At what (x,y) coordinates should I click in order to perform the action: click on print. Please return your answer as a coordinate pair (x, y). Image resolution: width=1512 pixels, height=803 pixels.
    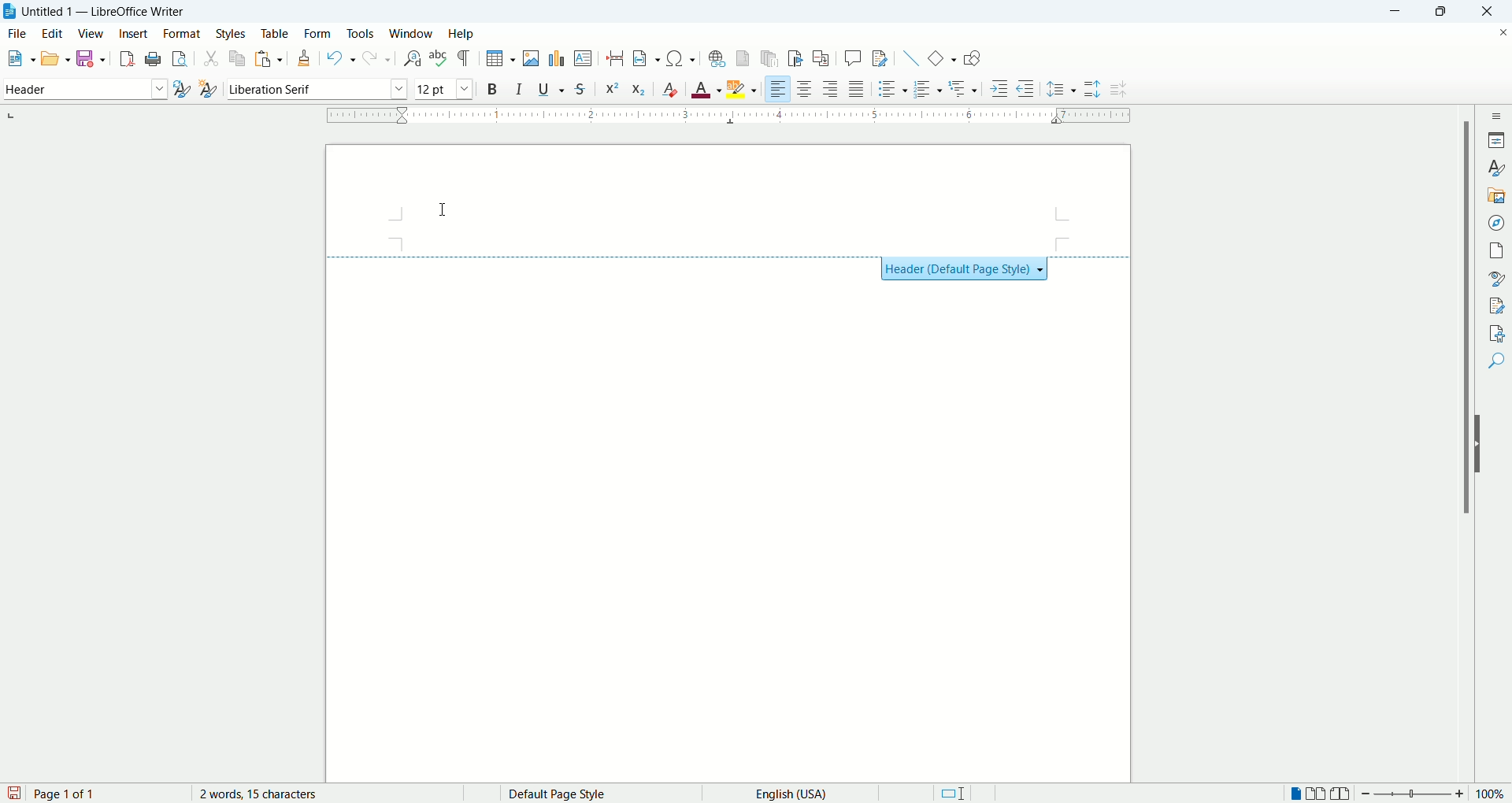
    Looking at the image, I should click on (154, 58).